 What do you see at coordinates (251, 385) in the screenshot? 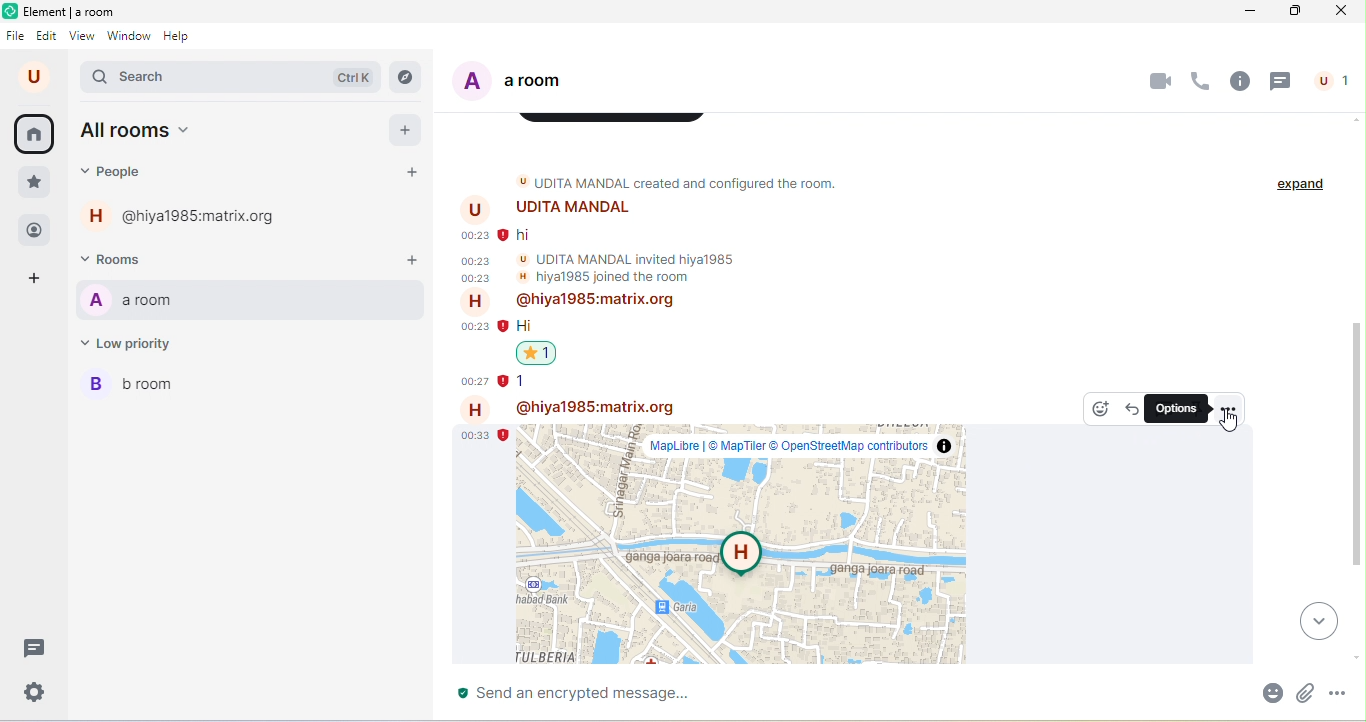
I see `b room` at bounding box center [251, 385].